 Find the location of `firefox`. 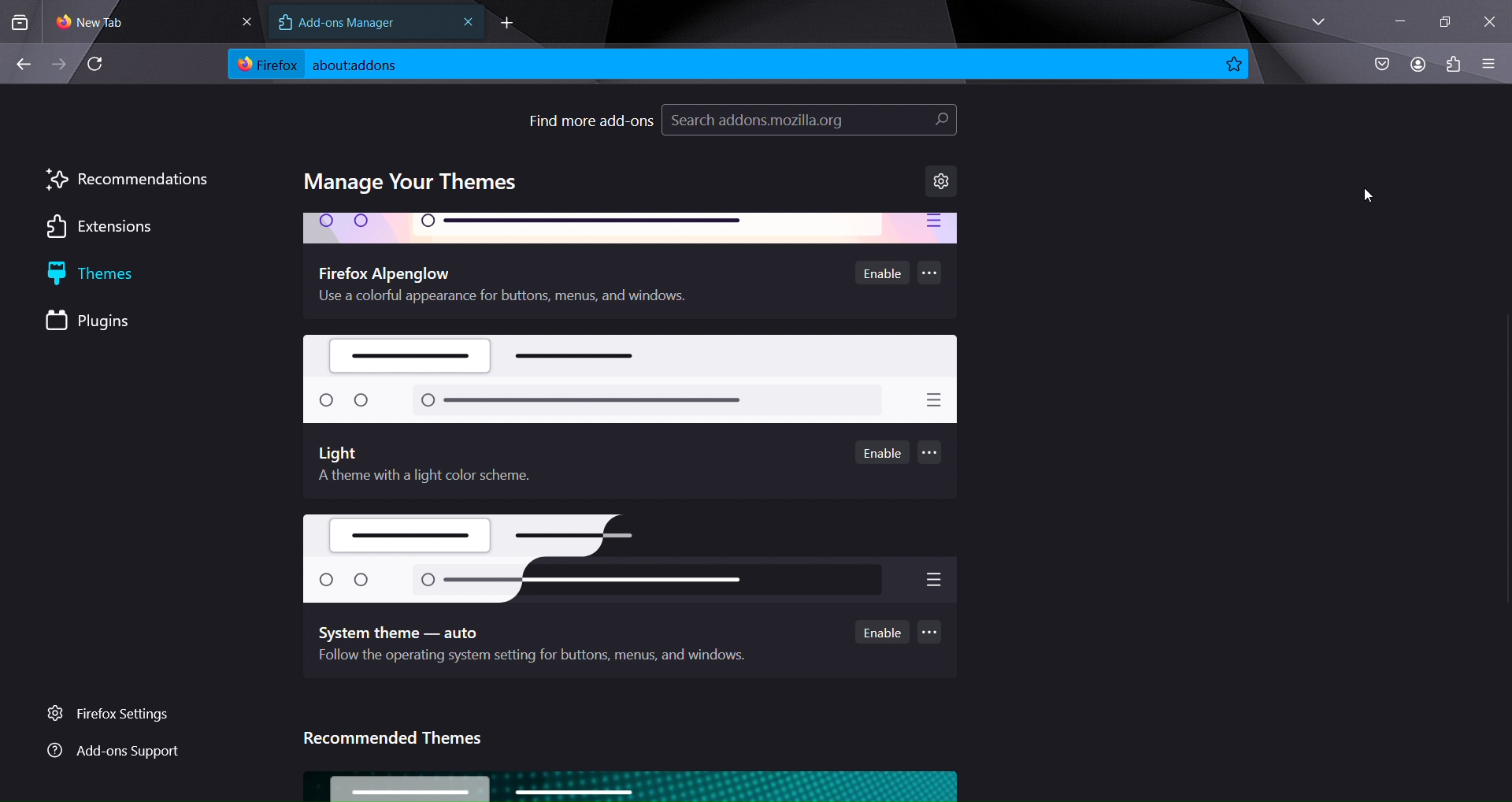

firefox is located at coordinates (265, 64).